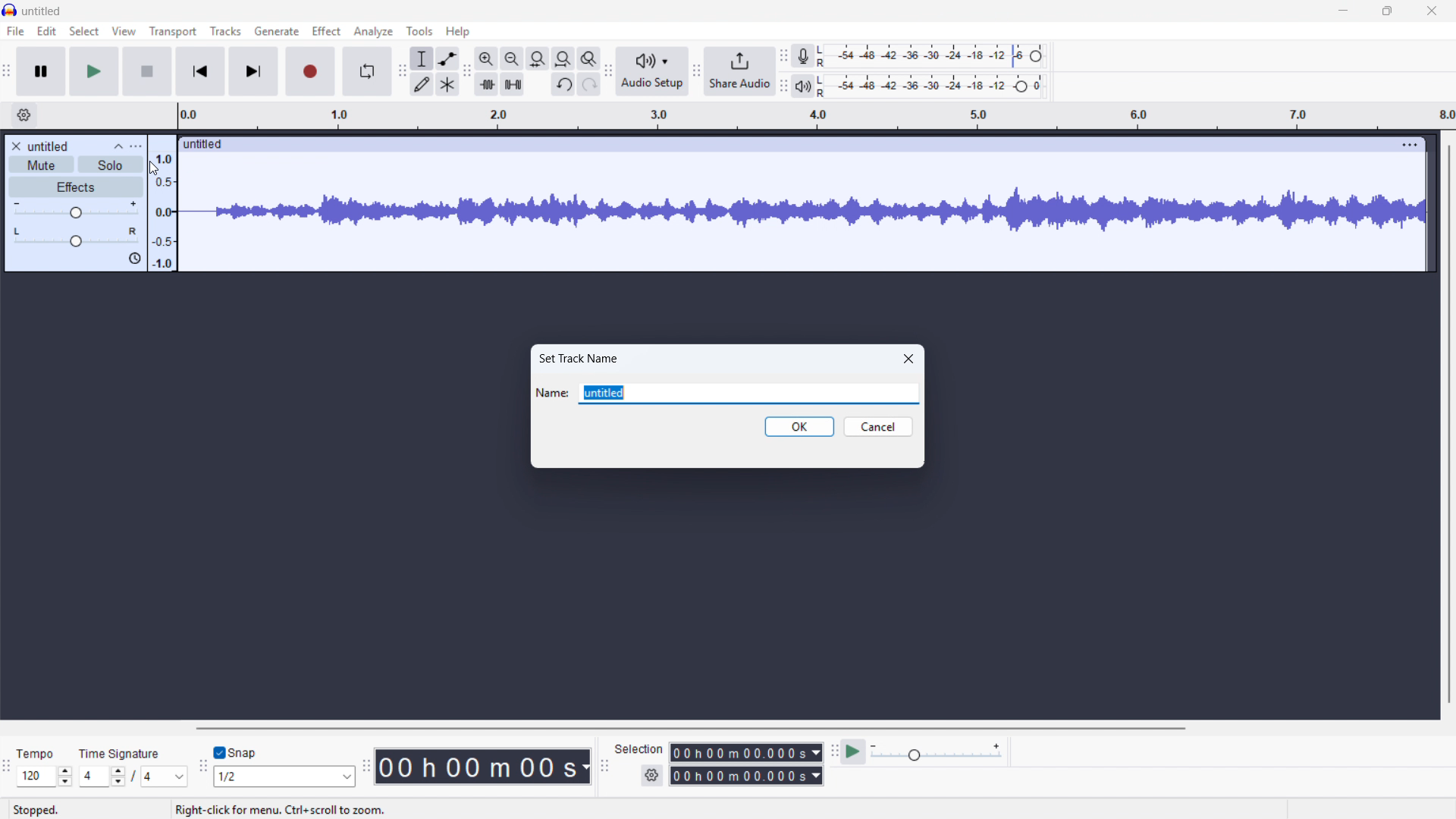  Describe the element at coordinates (310, 71) in the screenshot. I see `Record ` at that location.